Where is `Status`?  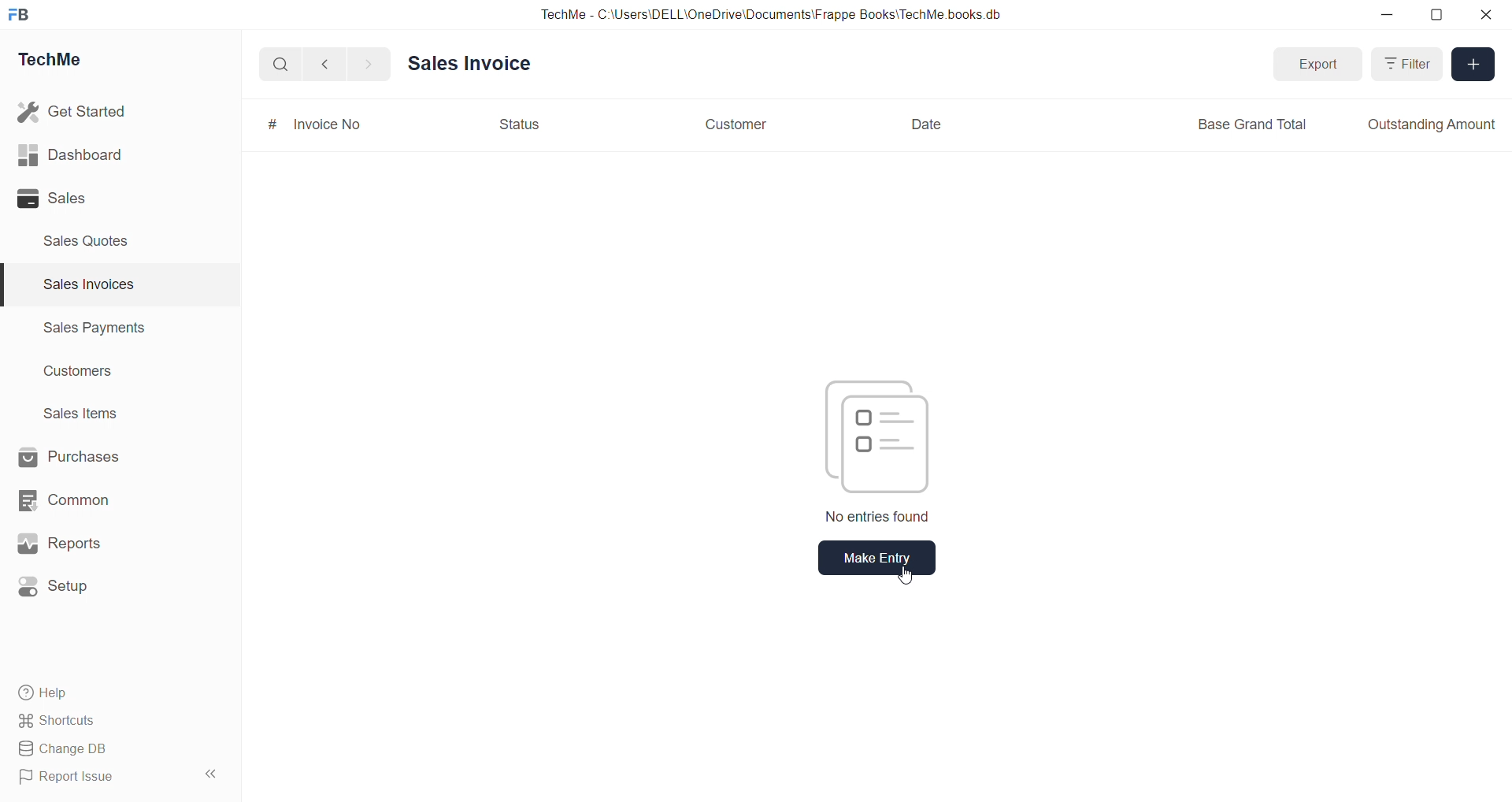 Status is located at coordinates (521, 123).